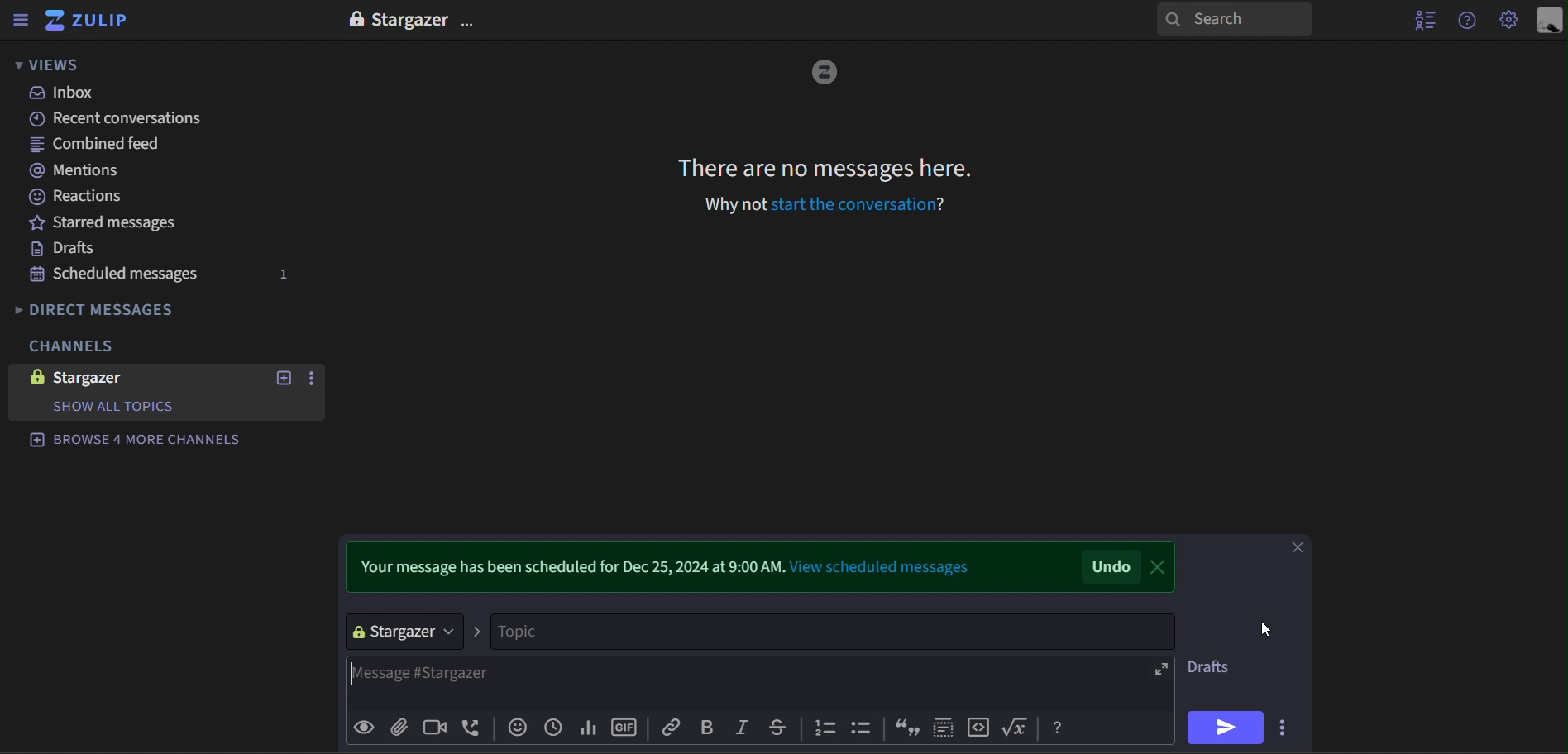 This screenshot has width=1568, height=754. I want to click on topic, so click(836, 631).